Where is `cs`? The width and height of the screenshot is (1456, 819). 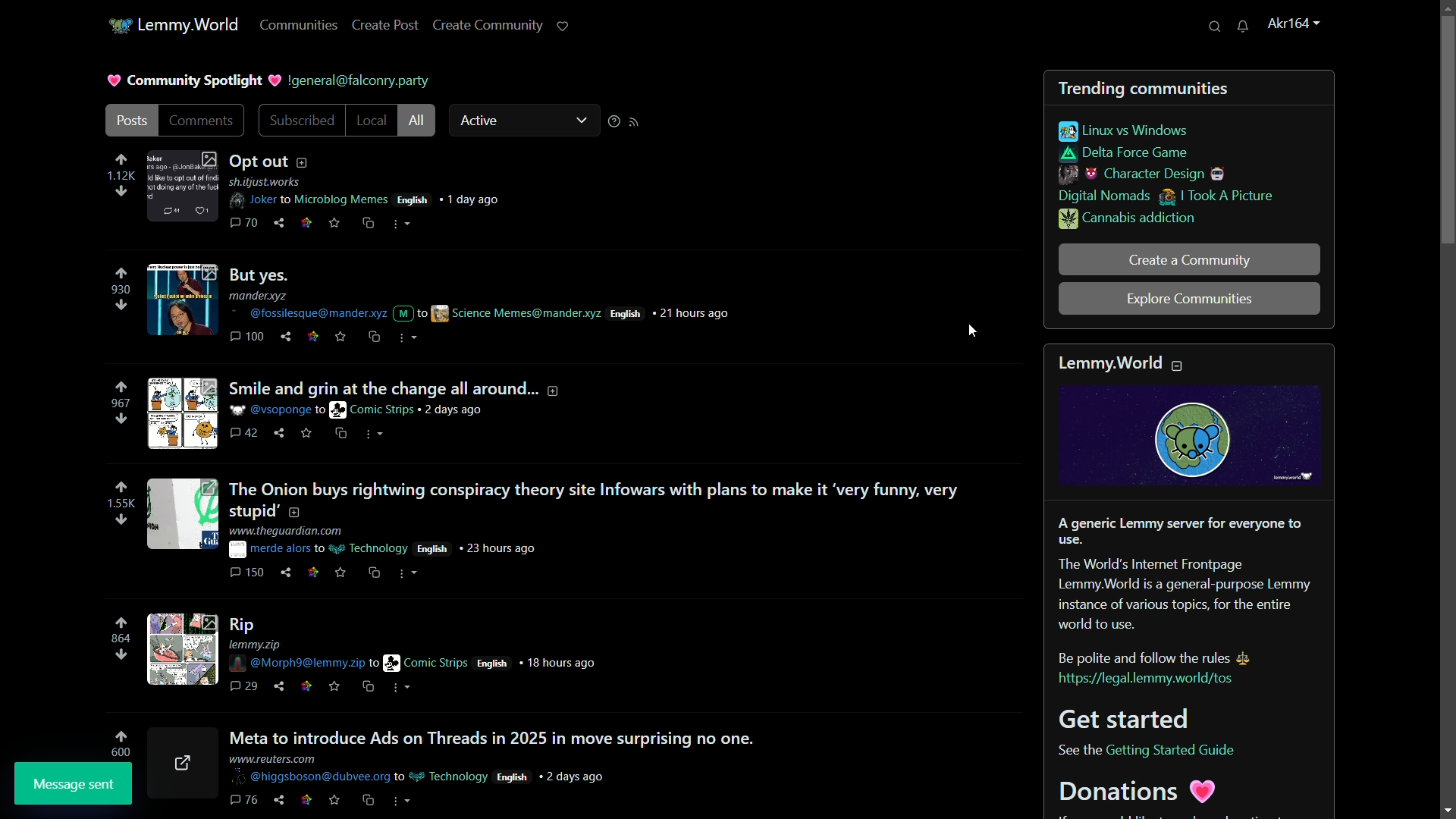 cs is located at coordinates (372, 683).